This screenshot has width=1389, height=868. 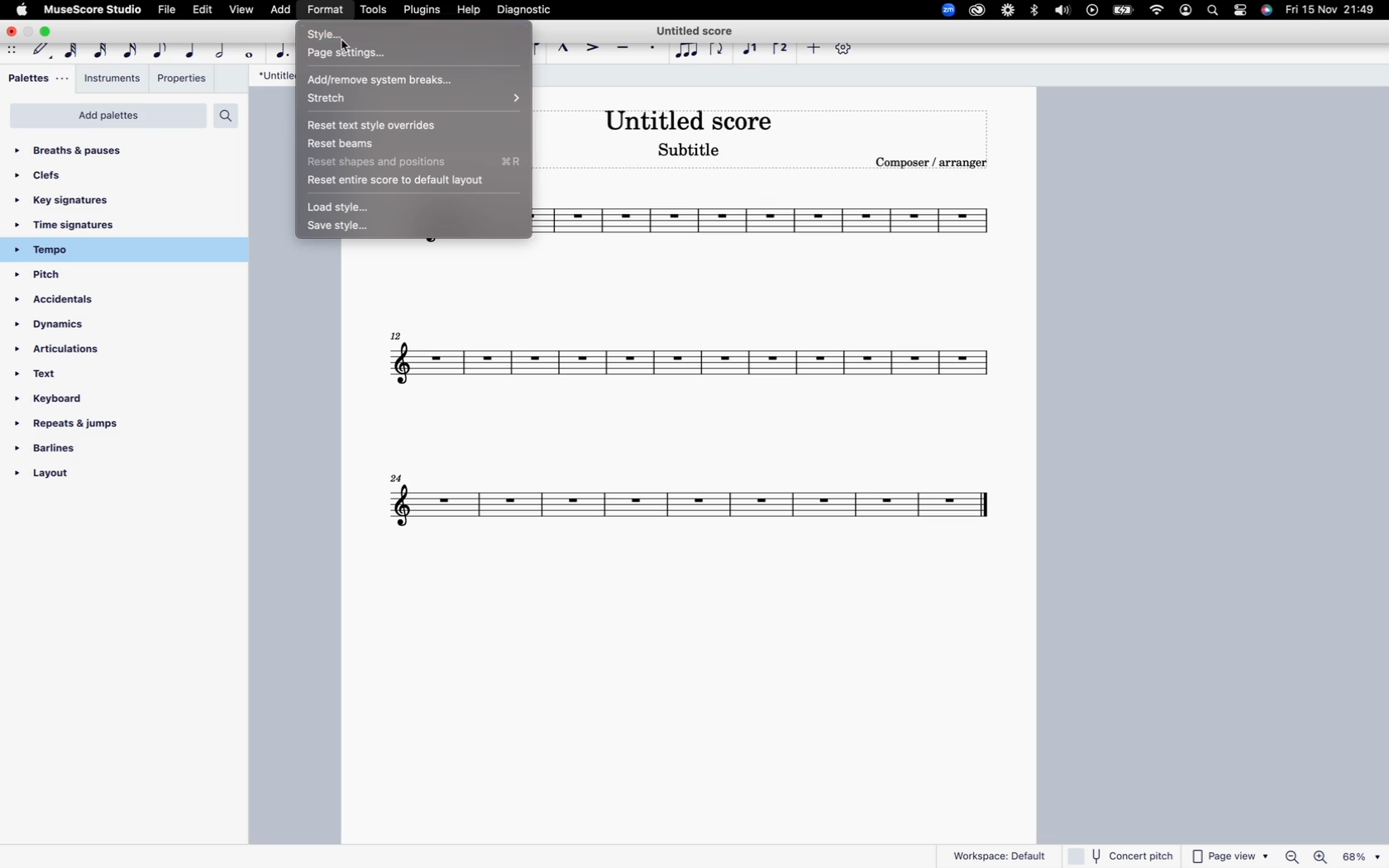 What do you see at coordinates (349, 48) in the screenshot?
I see `Cursor` at bounding box center [349, 48].